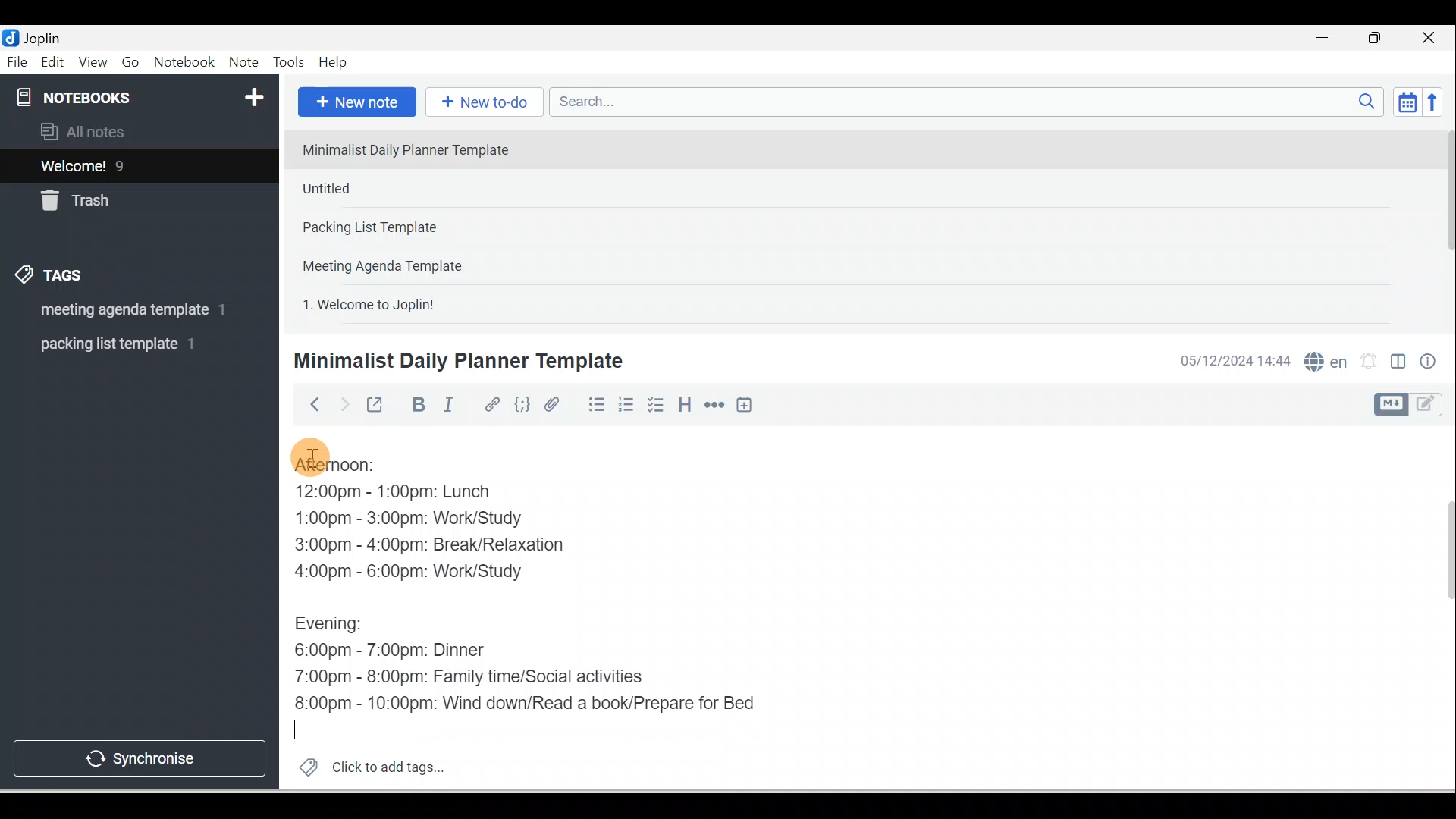 The width and height of the screenshot is (1456, 819). What do you see at coordinates (451, 407) in the screenshot?
I see `Italic` at bounding box center [451, 407].